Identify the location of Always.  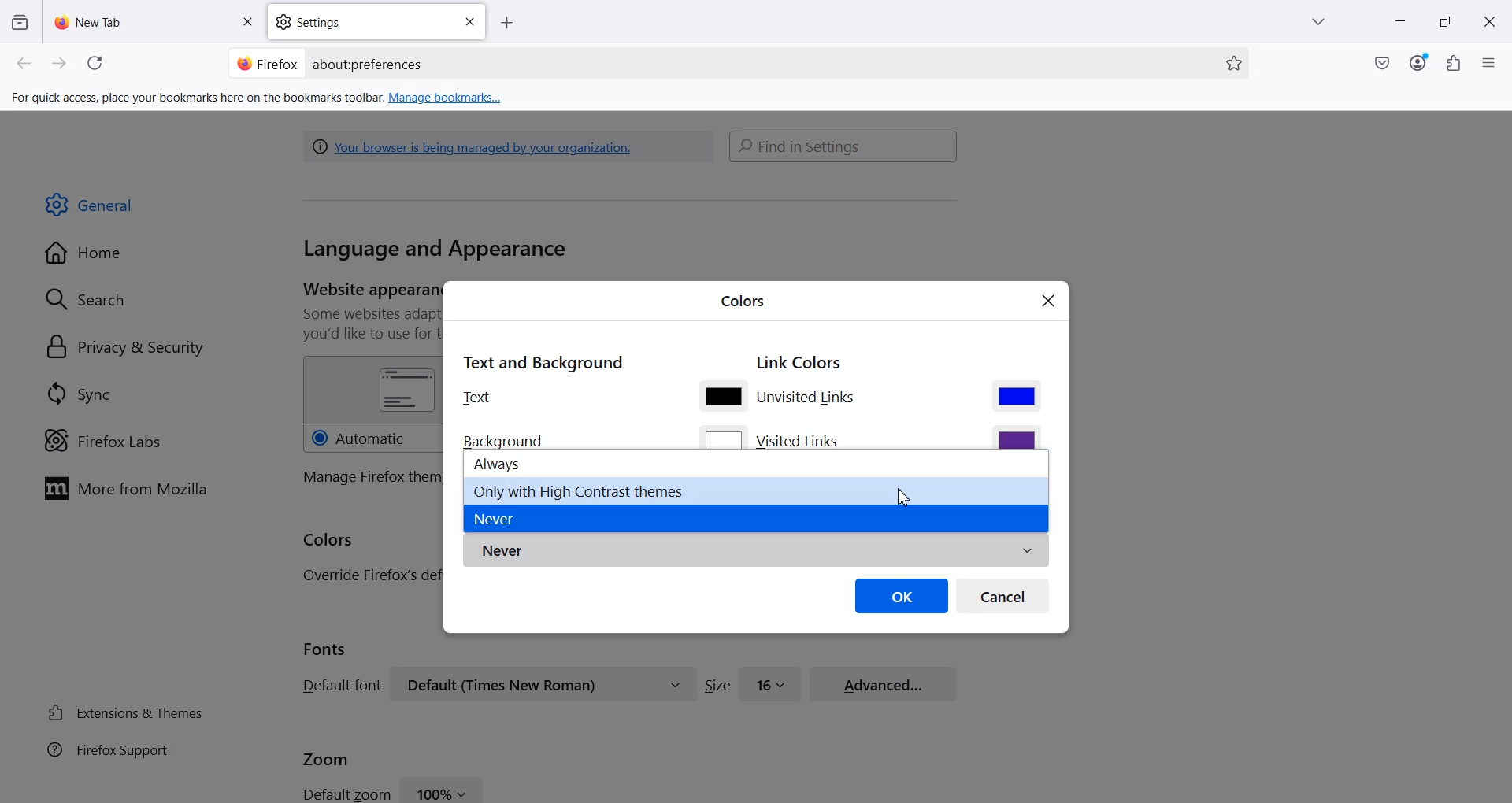
(756, 463).